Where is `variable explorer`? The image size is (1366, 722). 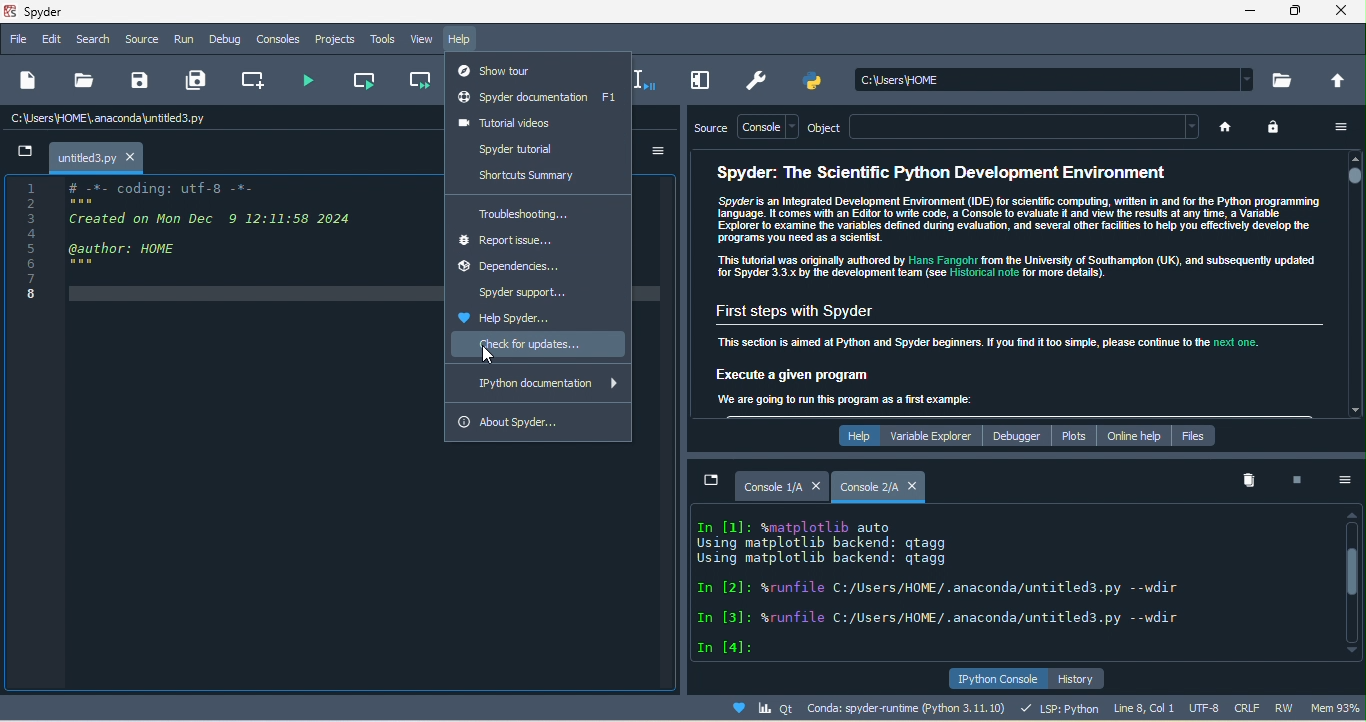 variable explorer is located at coordinates (934, 435).